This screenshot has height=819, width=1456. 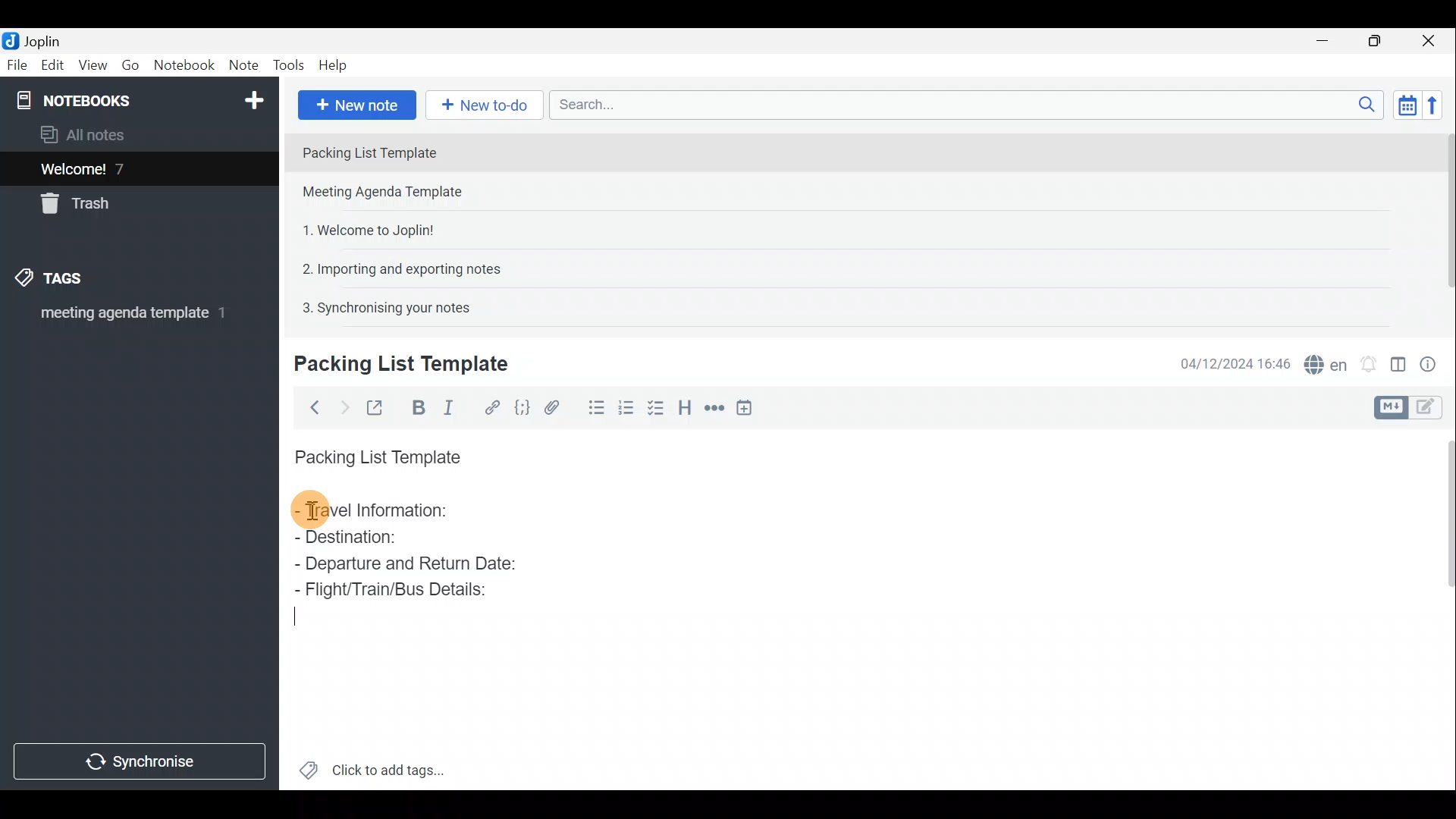 I want to click on Toggle editors, so click(x=1393, y=406).